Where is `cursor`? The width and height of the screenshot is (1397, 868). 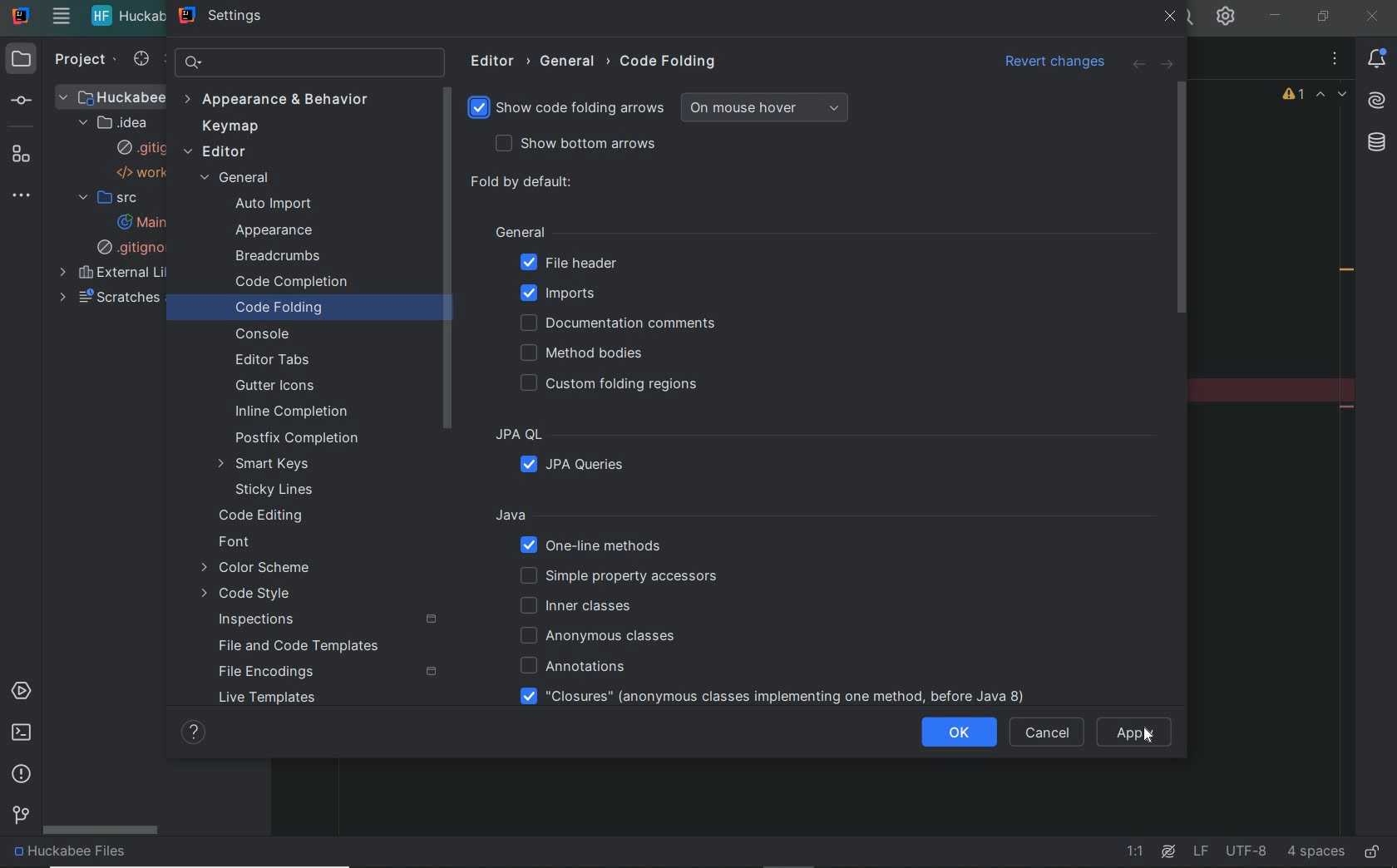 cursor is located at coordinates (1146, 738).